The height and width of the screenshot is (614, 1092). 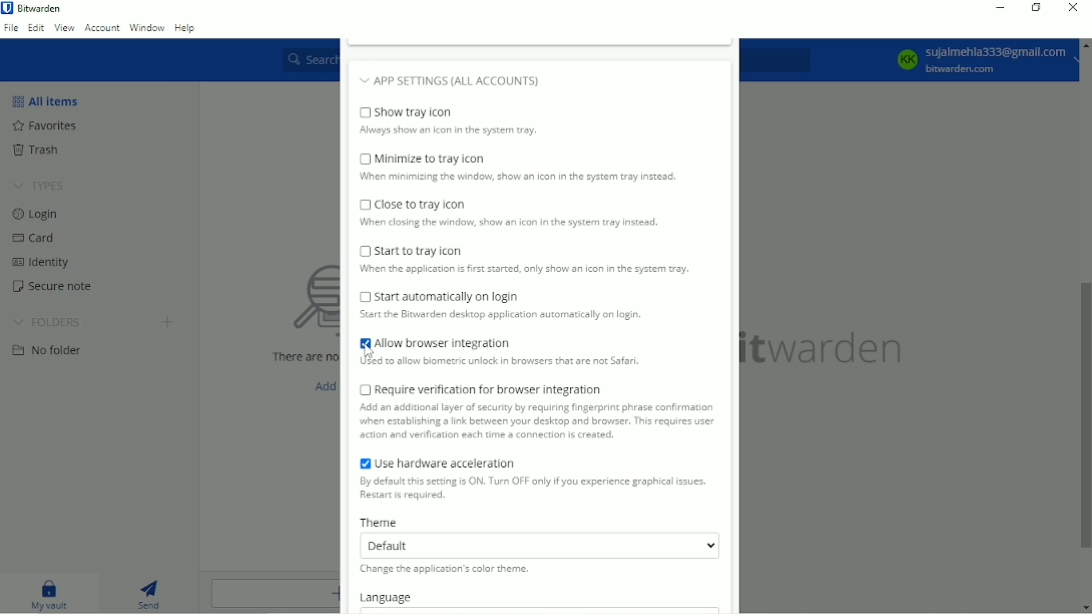 I want to click on Create folder, so click(x=169, y=321).